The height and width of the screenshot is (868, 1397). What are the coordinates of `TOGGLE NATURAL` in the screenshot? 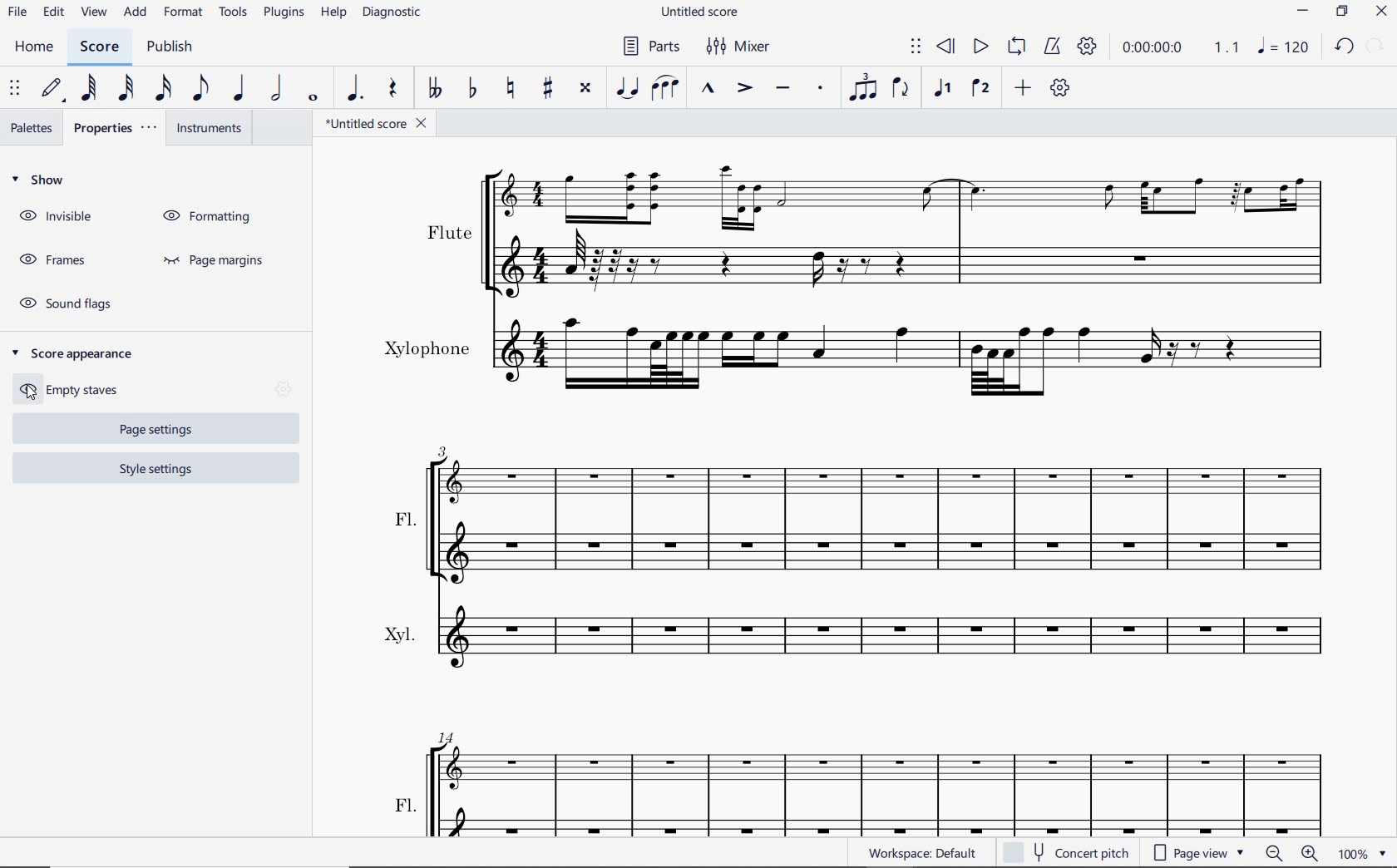 It's located at (511, 87).